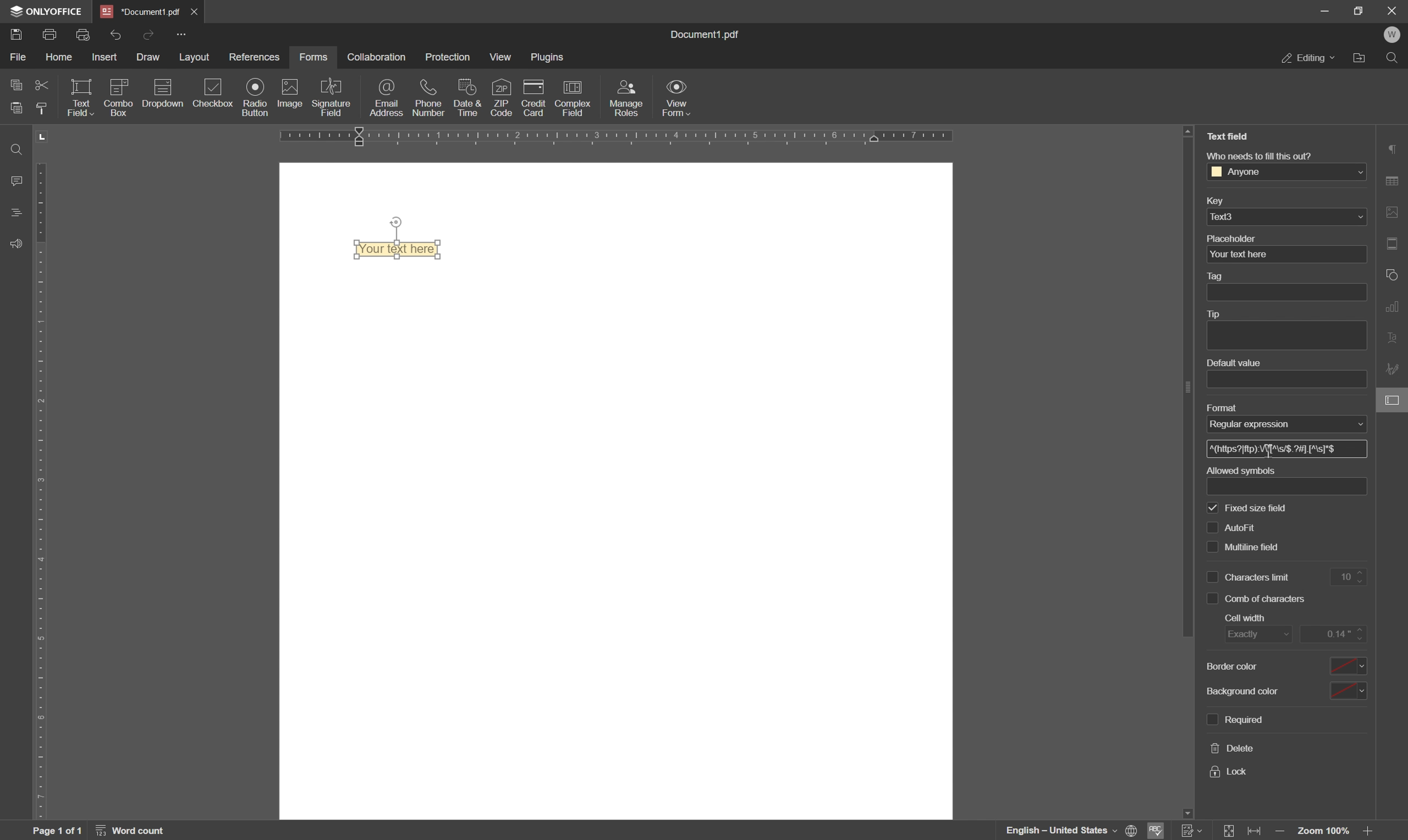 The image size is (1408, 840). I want to click on background color, so click(1249, 690).